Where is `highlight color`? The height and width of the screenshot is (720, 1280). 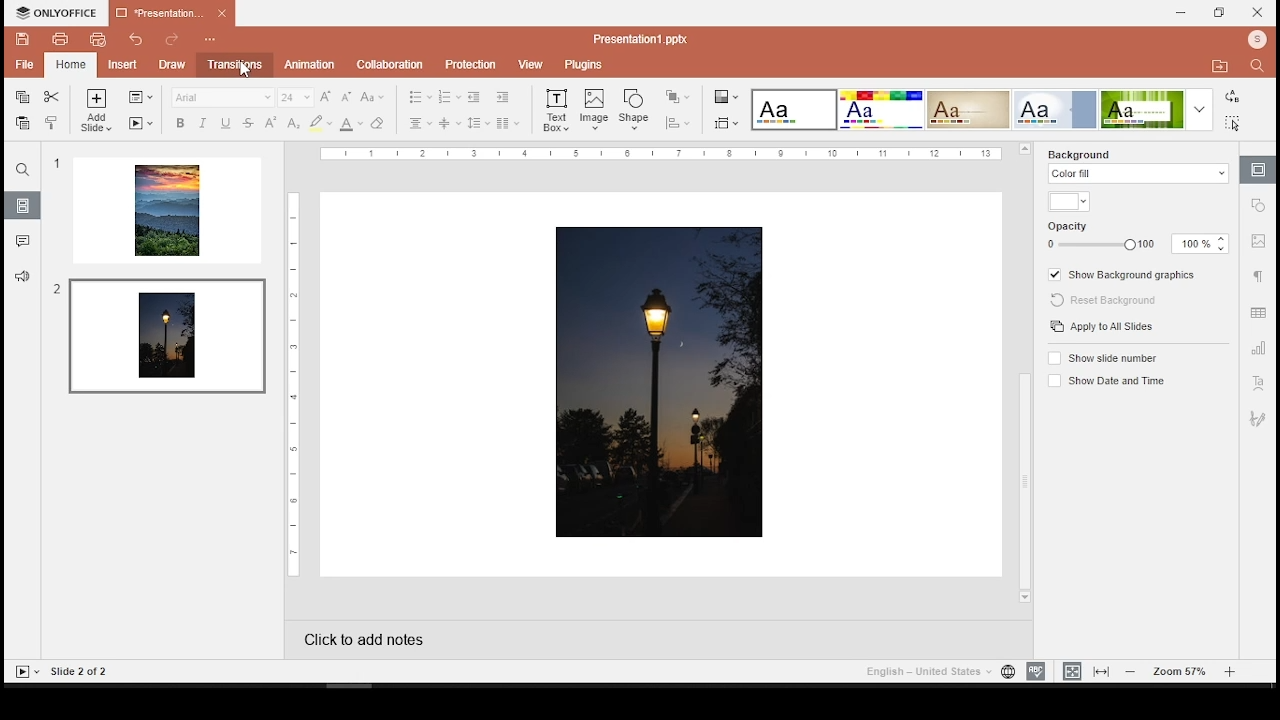
highlight color is located at coordinates (320, 122).